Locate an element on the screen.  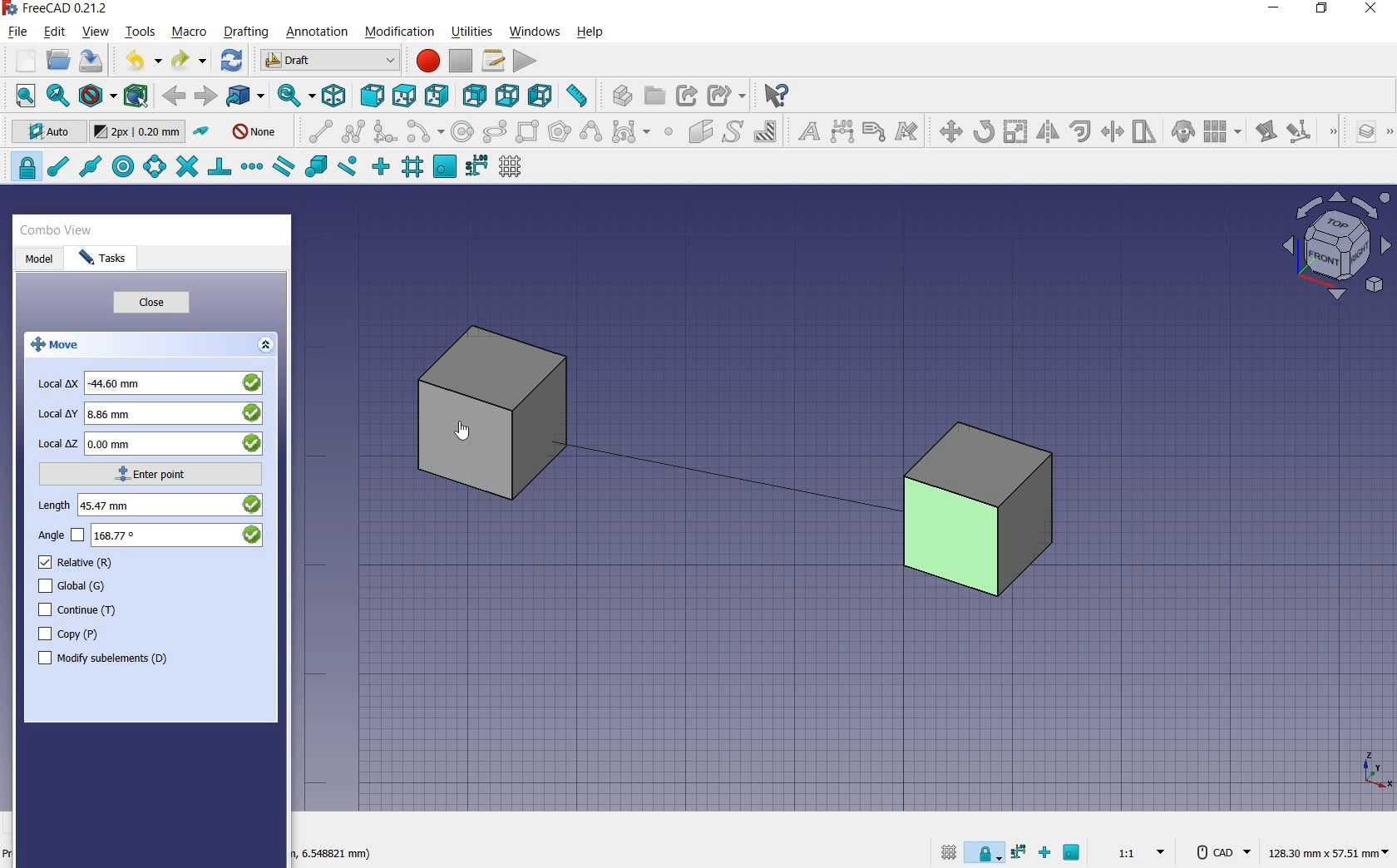
local y is located at coordinates (152, 412).